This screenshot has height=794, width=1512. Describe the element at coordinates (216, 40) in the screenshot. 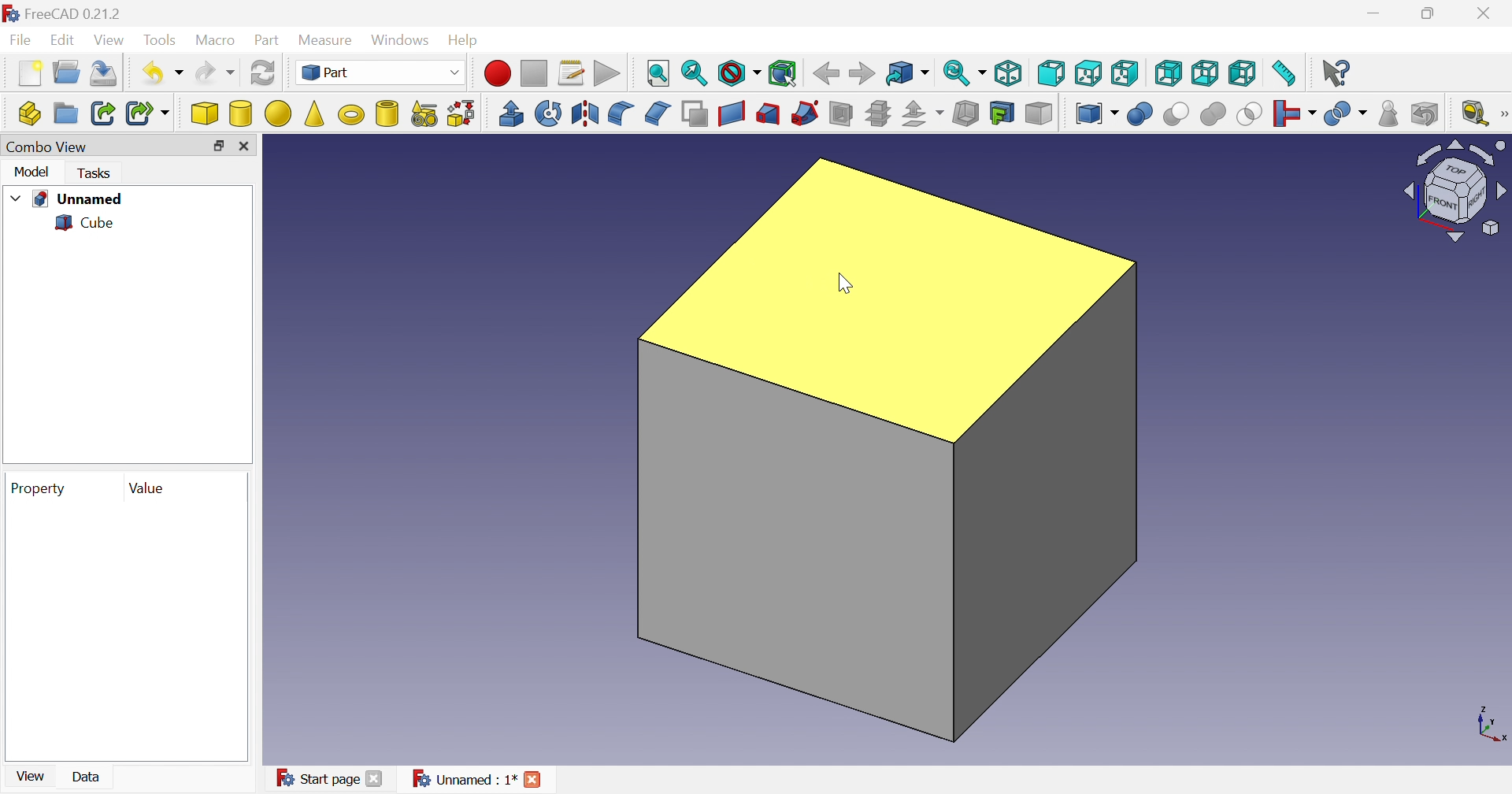

I see `Macro` at that location.